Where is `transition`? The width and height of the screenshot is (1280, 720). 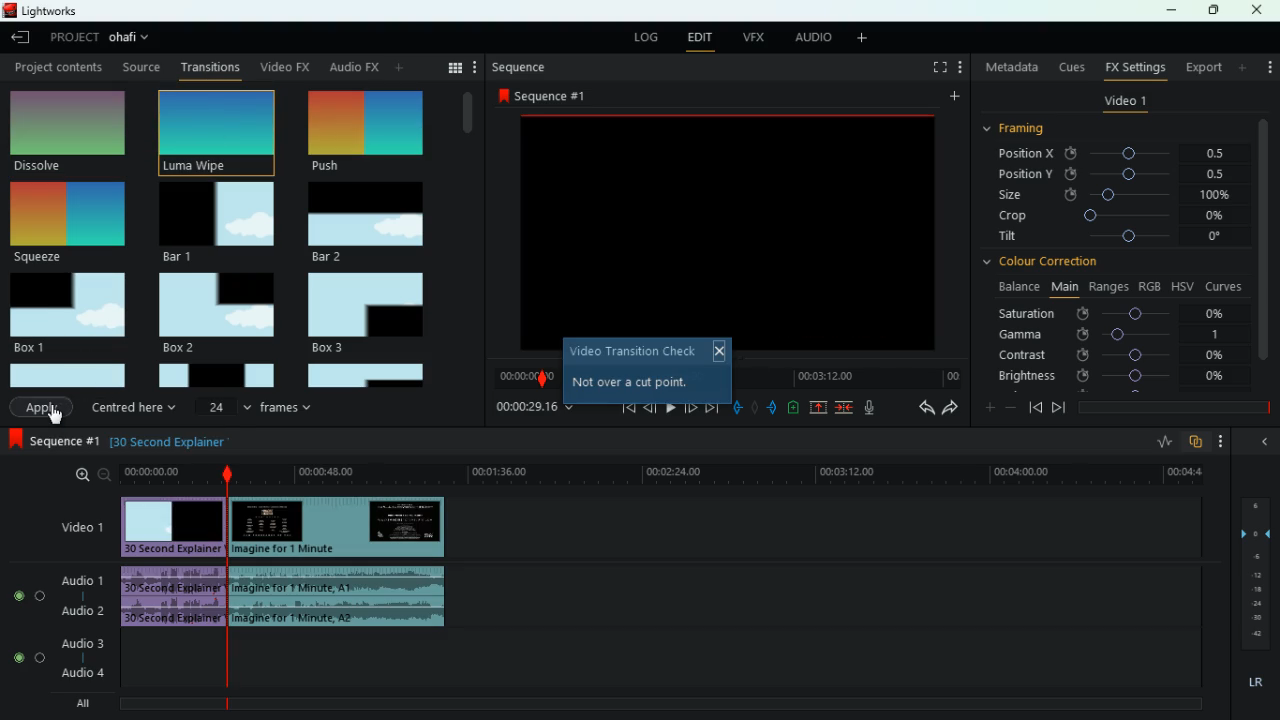
transition is located at coordinates (211, 69).